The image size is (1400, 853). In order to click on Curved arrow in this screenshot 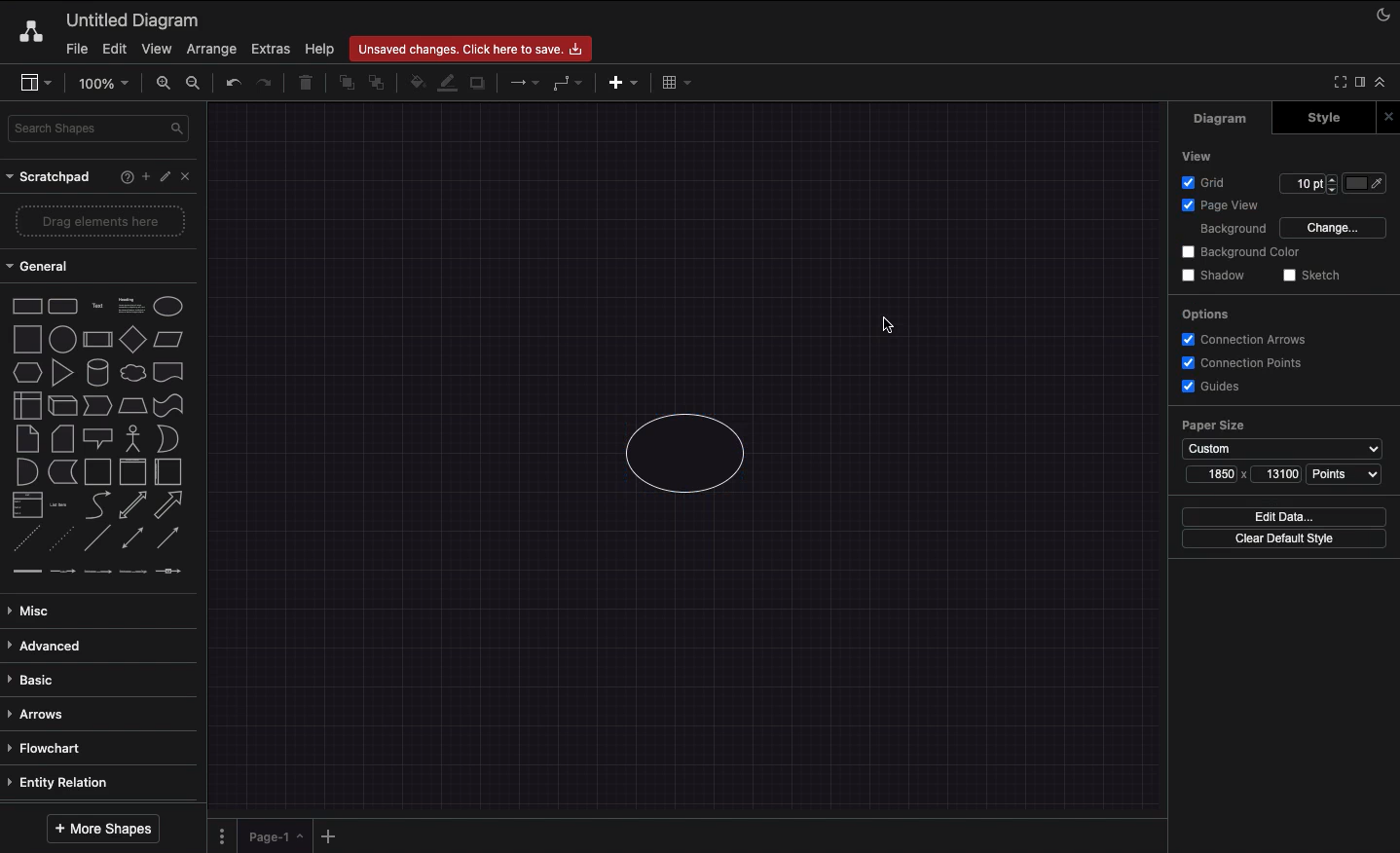, I will do `click(97, 503)`.